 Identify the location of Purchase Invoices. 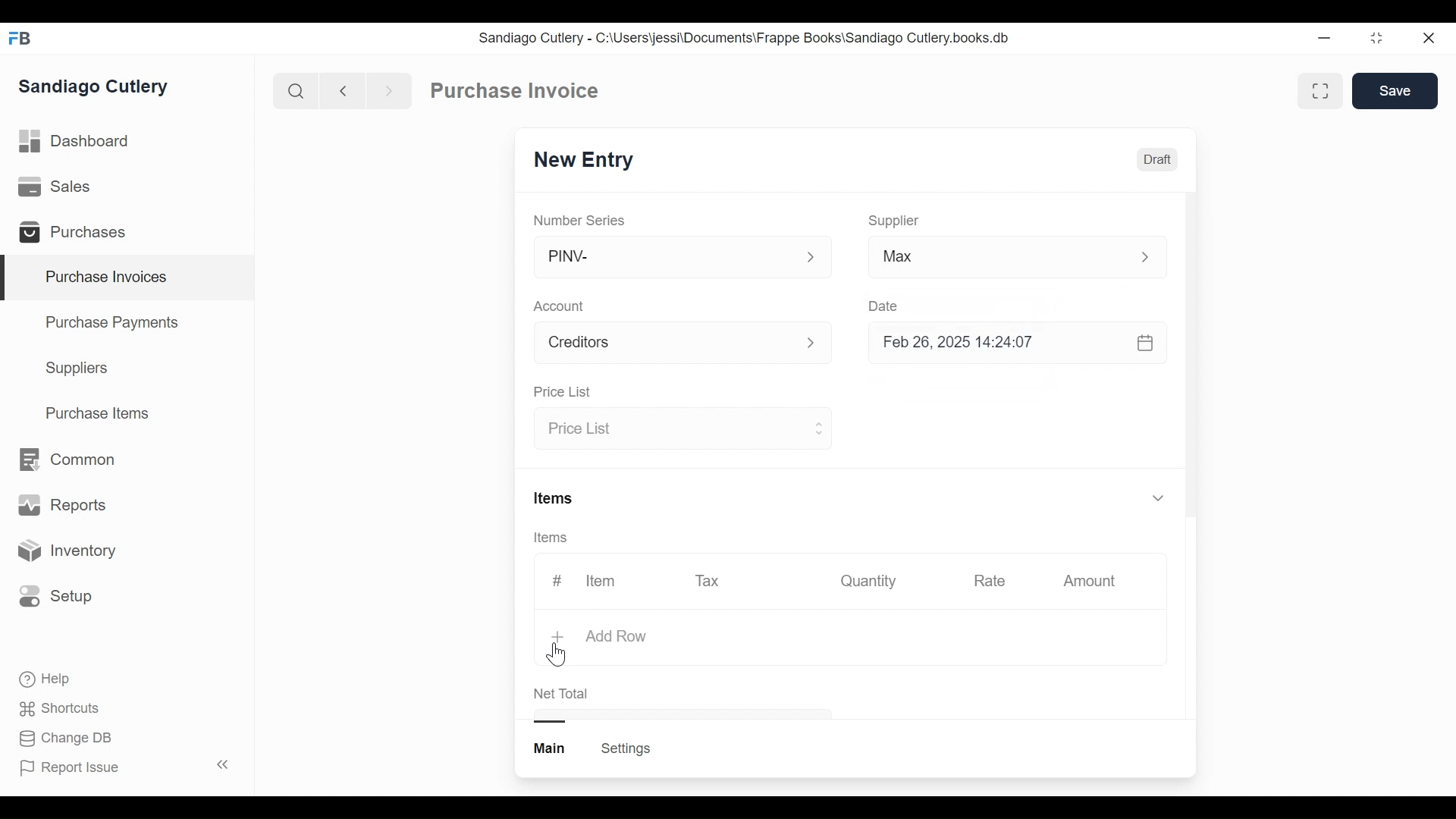
(128, 278).